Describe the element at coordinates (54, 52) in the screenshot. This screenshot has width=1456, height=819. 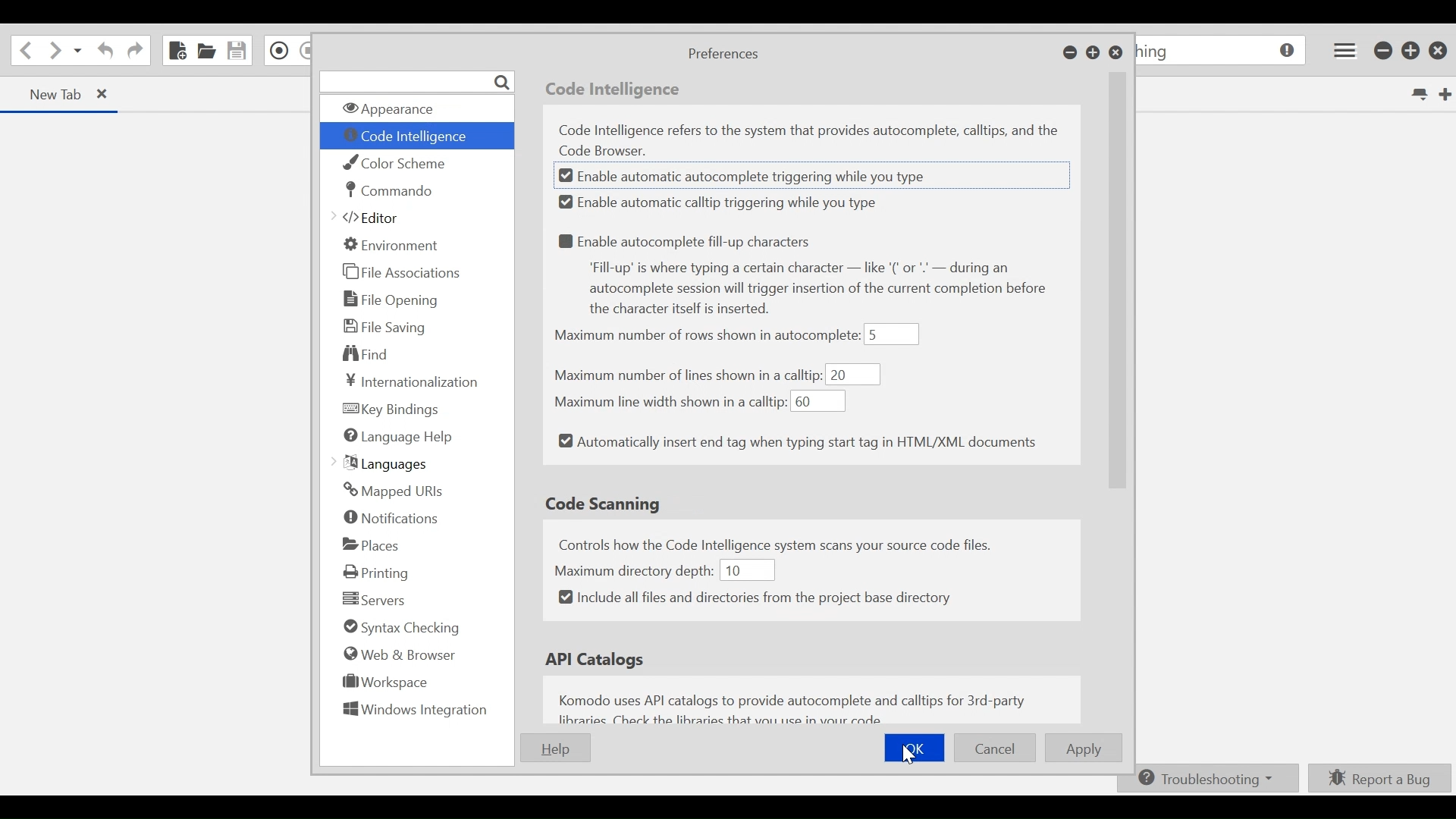
I see `Go forward one location` at that location.